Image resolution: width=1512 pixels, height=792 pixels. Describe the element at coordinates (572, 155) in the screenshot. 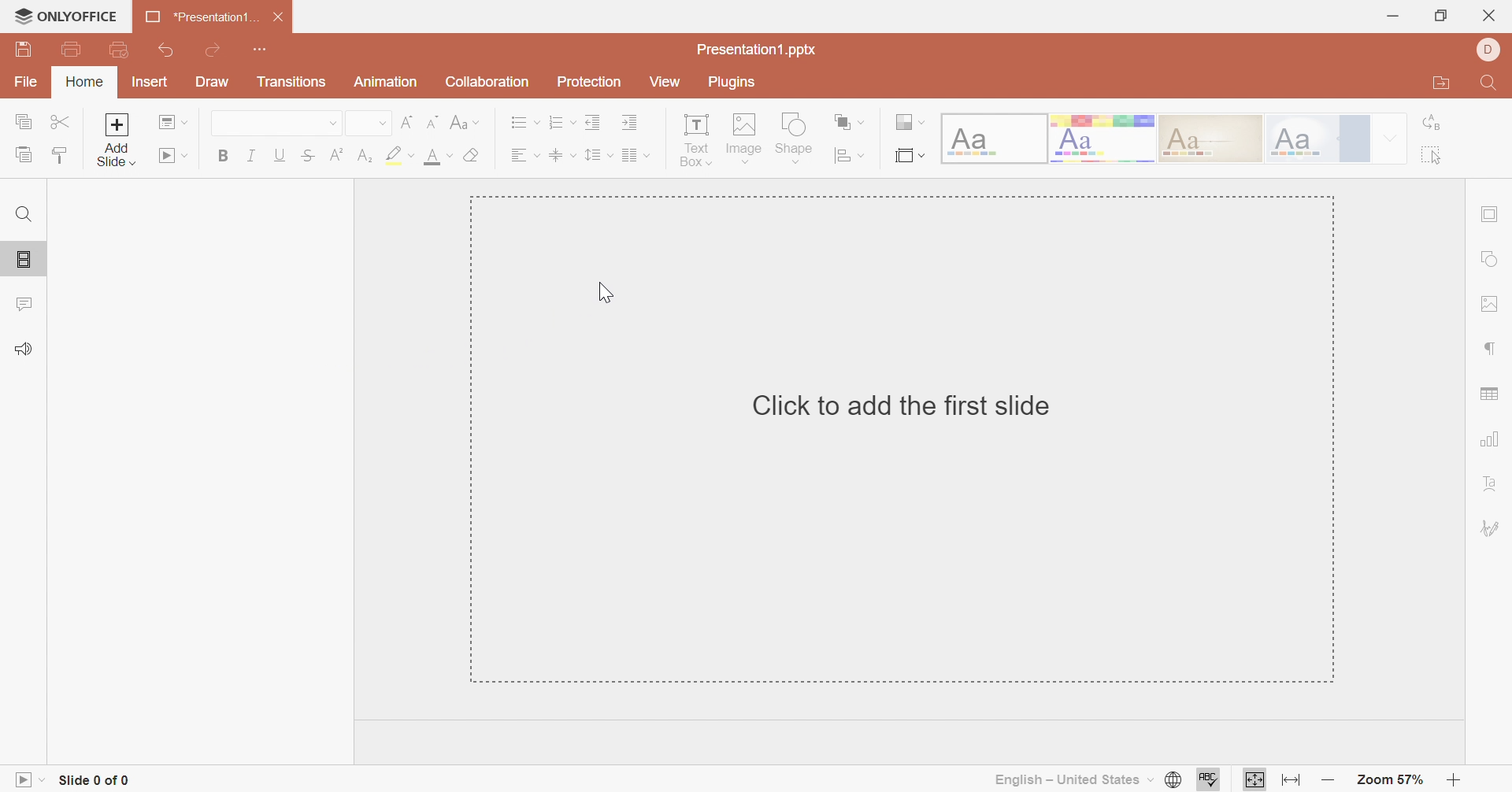

I see `Drop Down` at that location.